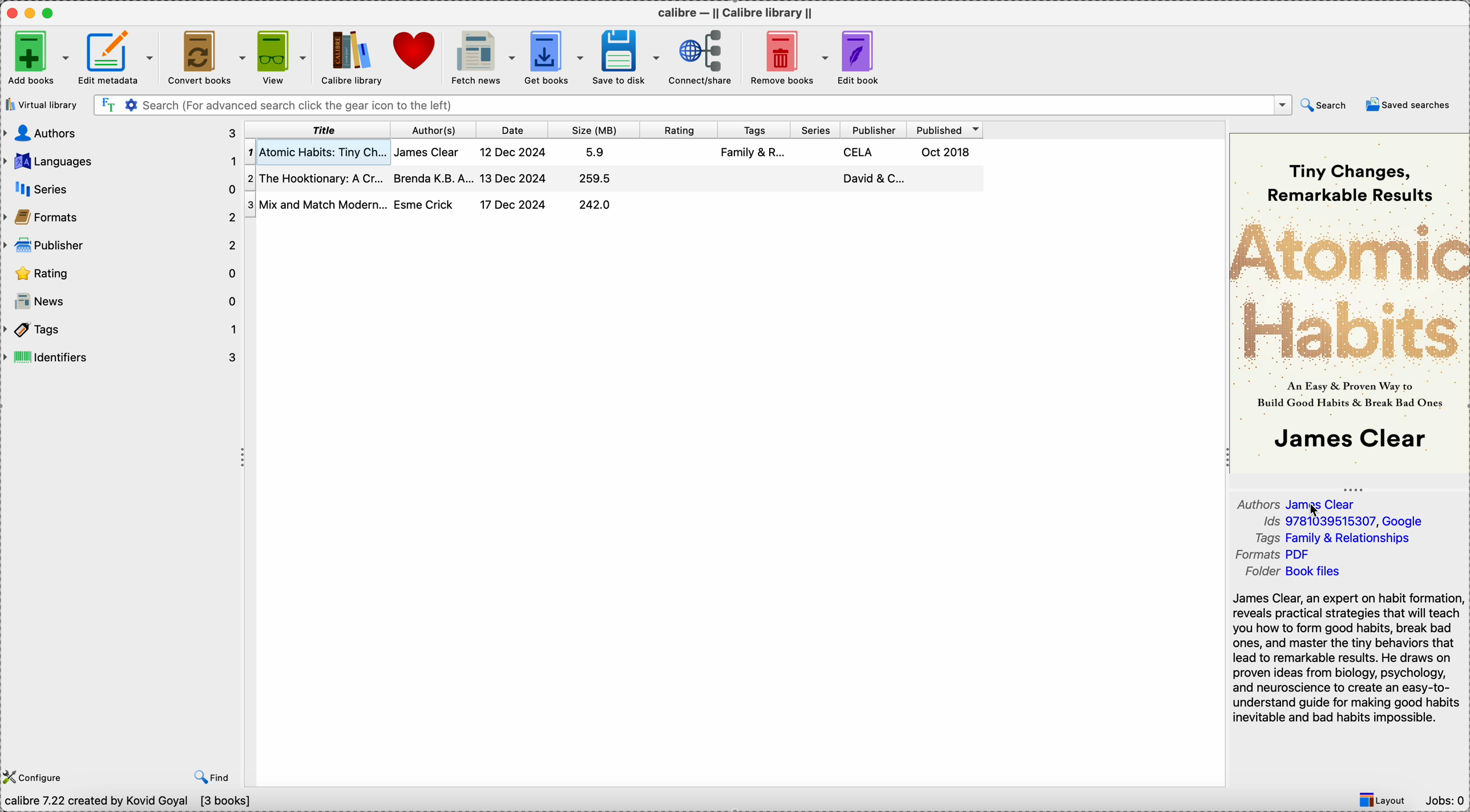  I want to click on add books, so click(36, 57).